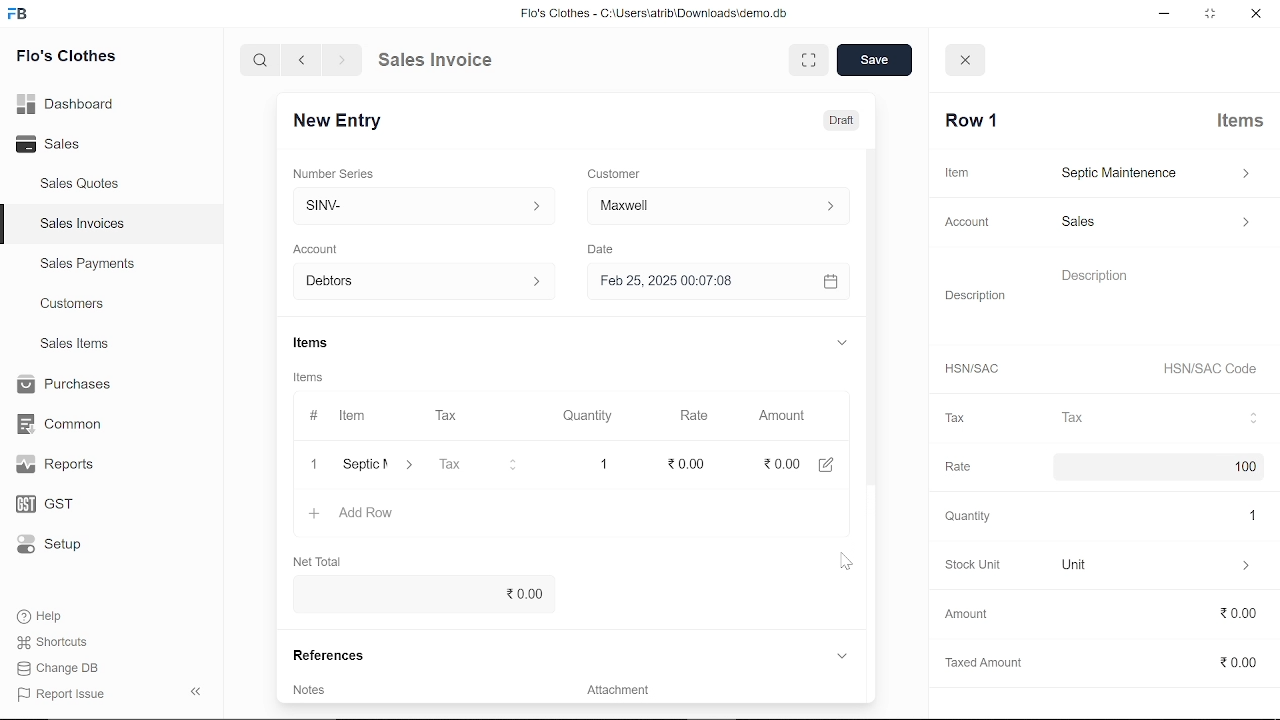 This screenshot has height=720, width=1280. I want to click on Tax, so click(461, 417).